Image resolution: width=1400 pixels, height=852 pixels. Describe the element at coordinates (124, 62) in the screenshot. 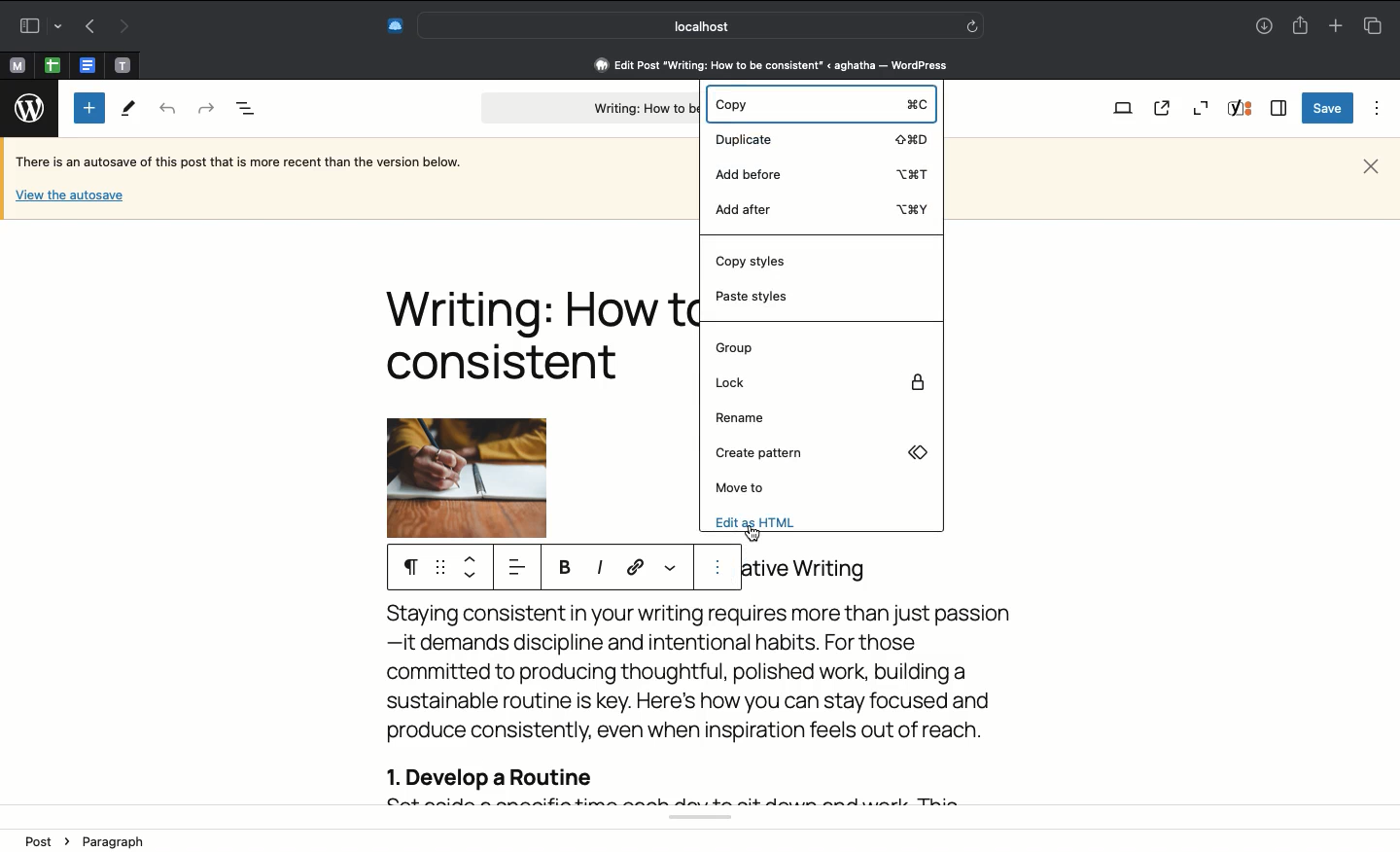

I see `pinned tab` at that location.